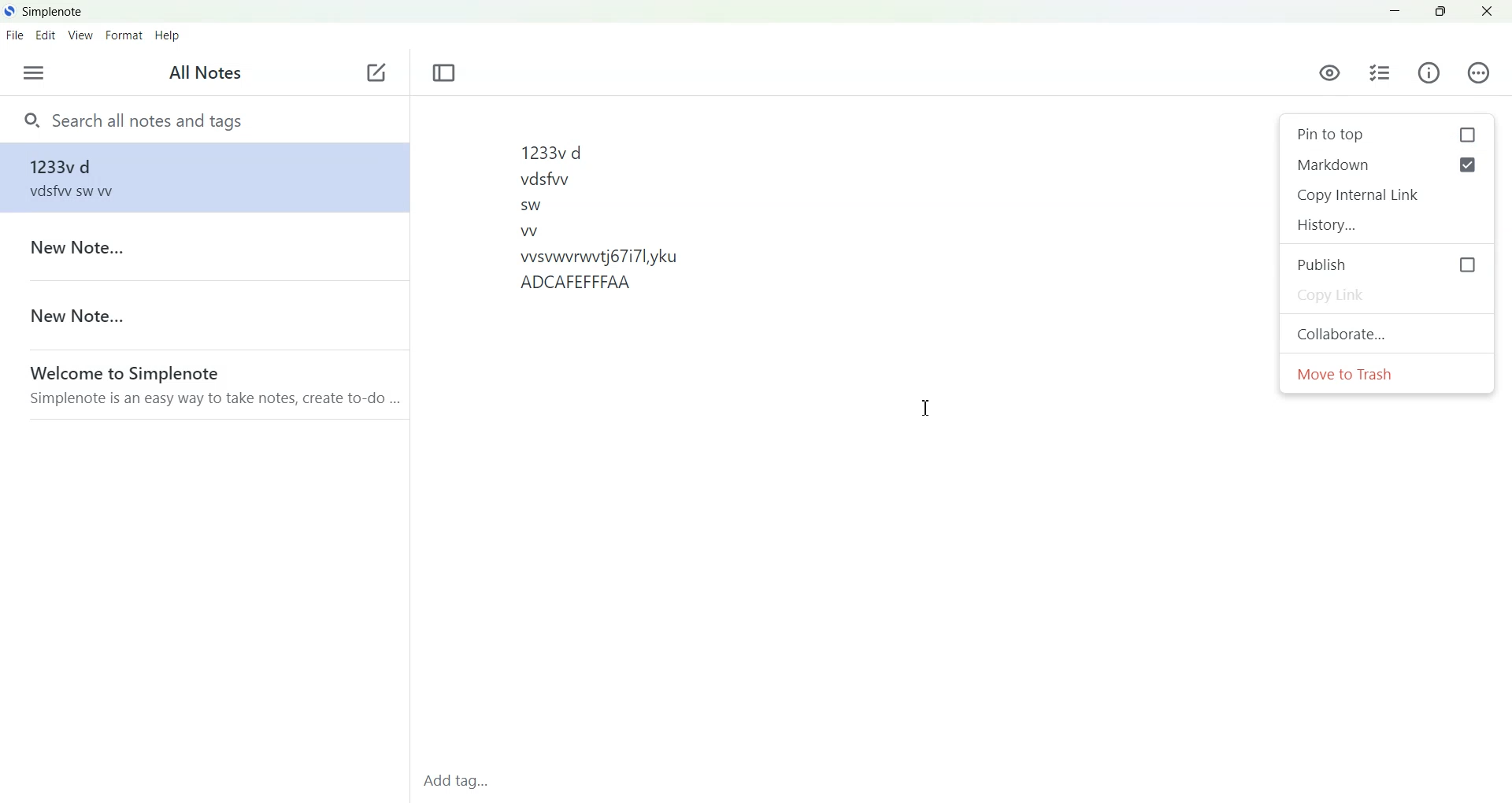  Describe the element at coordinates (1387, 296) in the screenshot. I see `Copy Link` at that location.